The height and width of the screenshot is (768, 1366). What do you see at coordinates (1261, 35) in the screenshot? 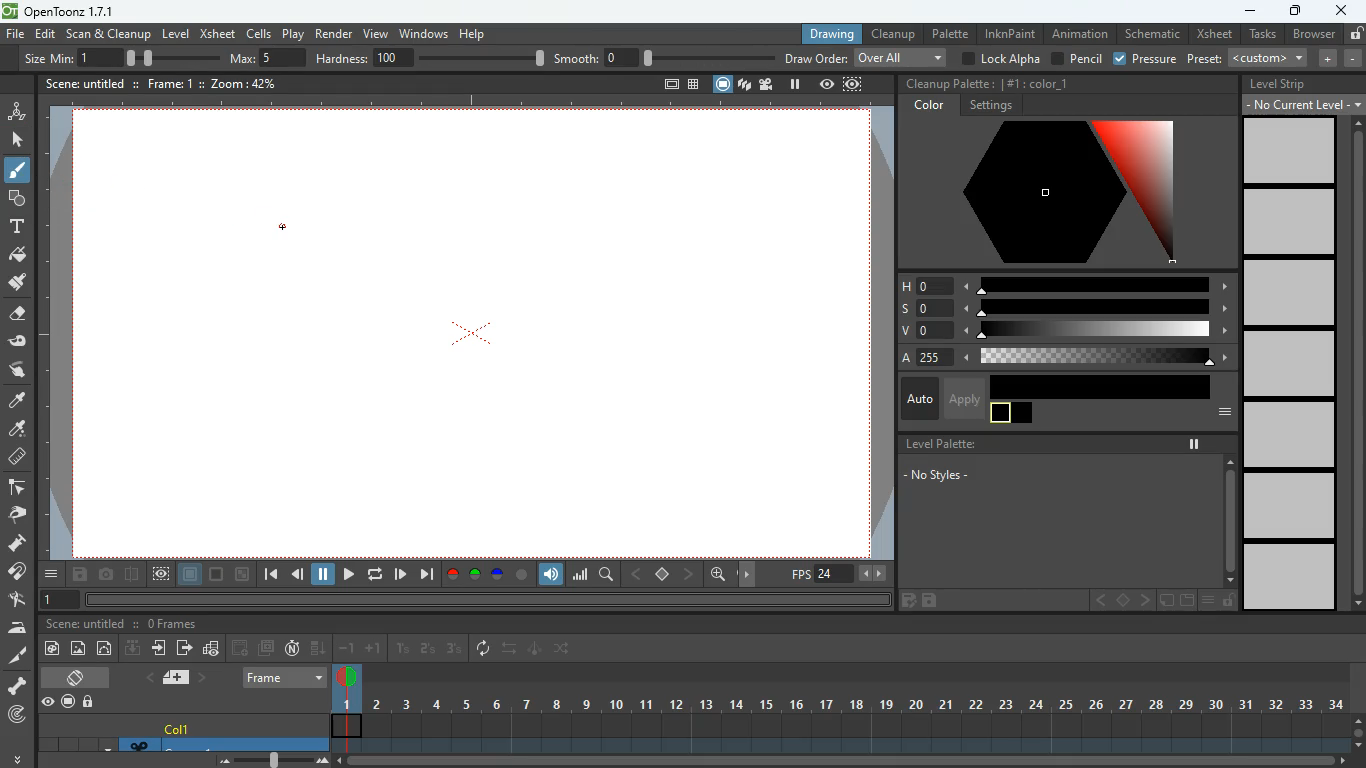
I see `tasks` at bounding box center [1261, 35].